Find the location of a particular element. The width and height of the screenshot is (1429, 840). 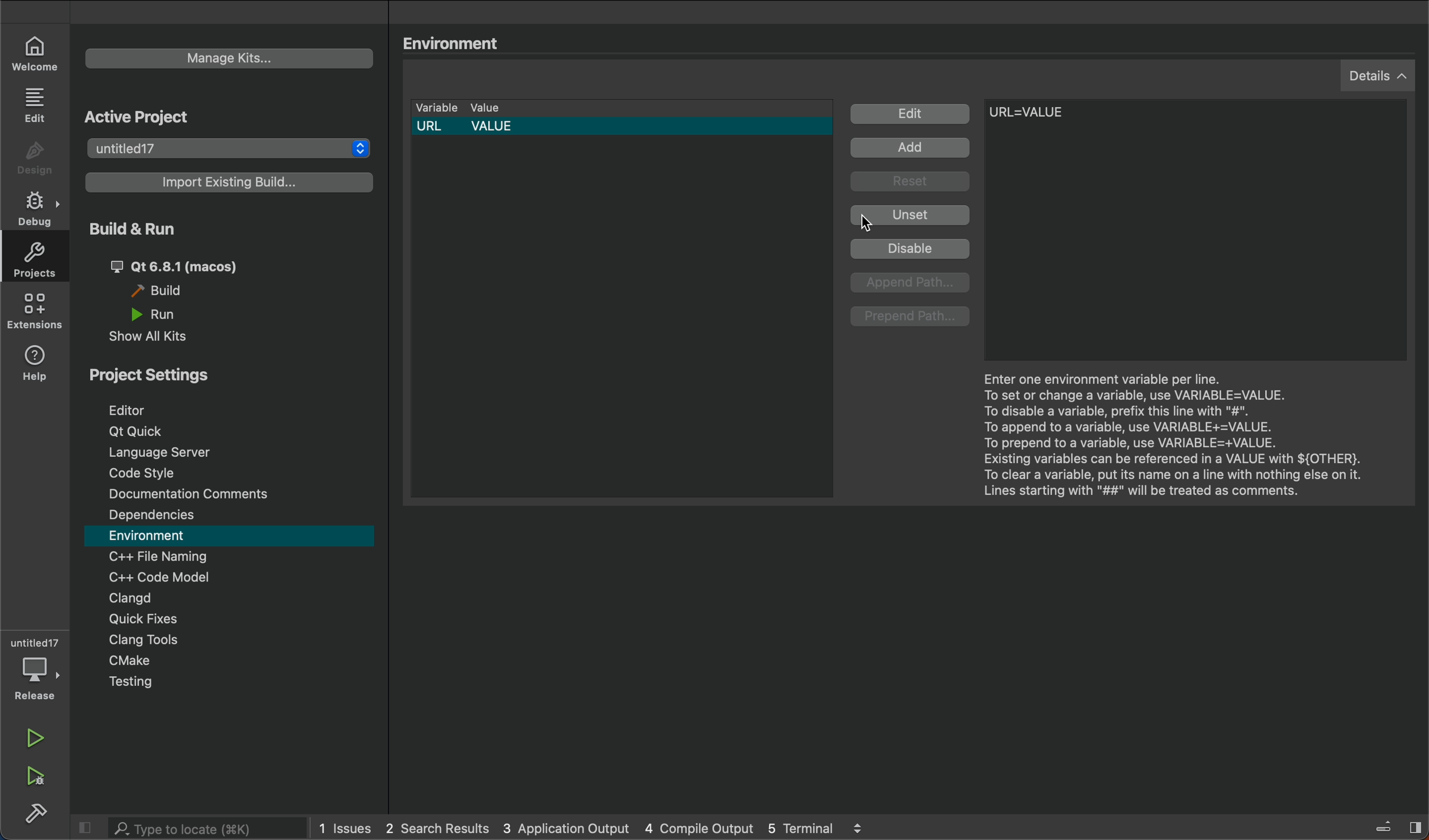

clang tools is located at coordinates (142, 642).